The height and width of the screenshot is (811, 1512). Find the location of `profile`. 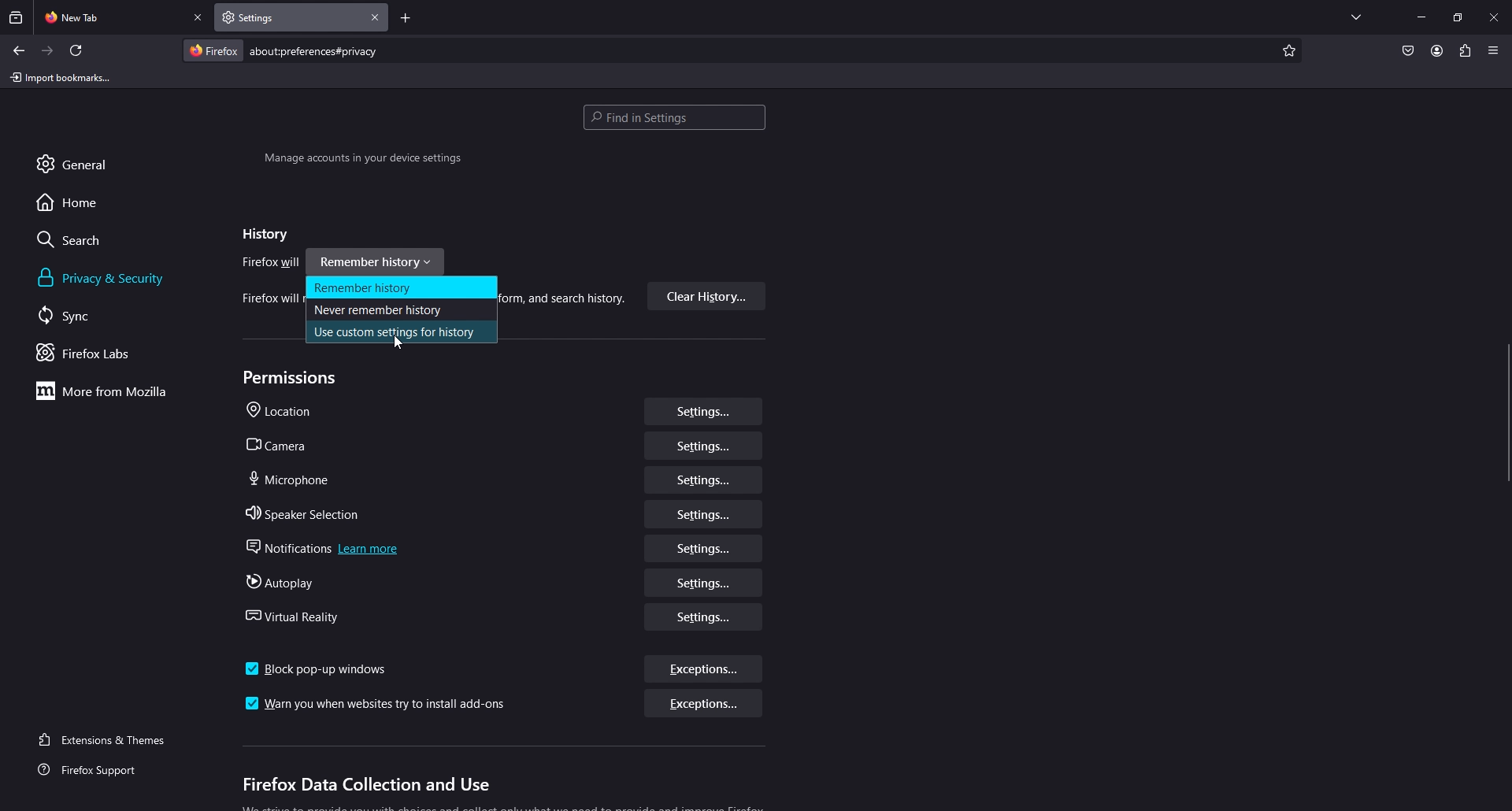

profile is located at coordinates (1436, 50).